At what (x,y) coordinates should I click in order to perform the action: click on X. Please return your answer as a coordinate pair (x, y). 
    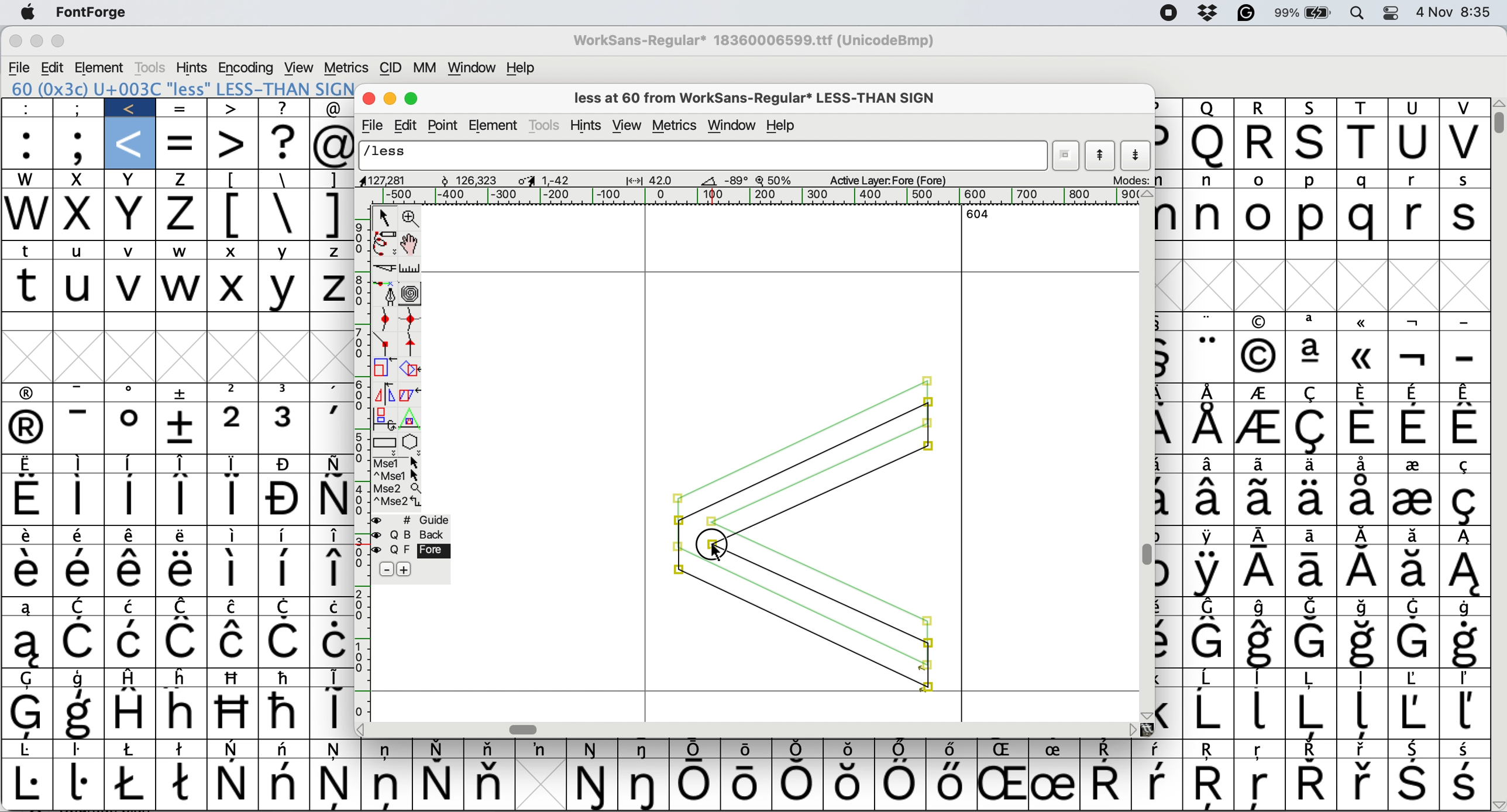
    Looking at the image, I should click on (232, 287).